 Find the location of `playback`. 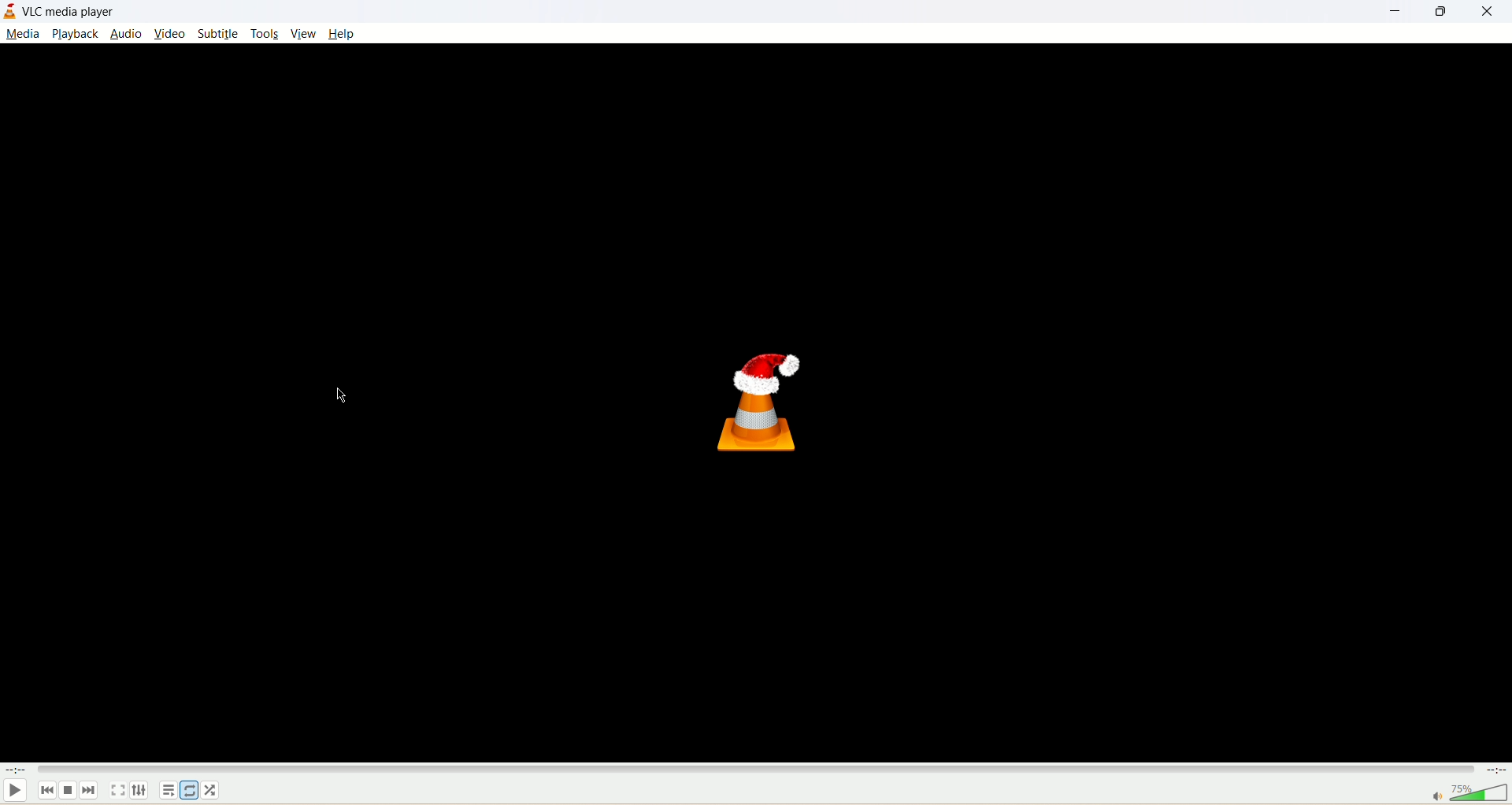

playback is located at coordinates (76, 33).